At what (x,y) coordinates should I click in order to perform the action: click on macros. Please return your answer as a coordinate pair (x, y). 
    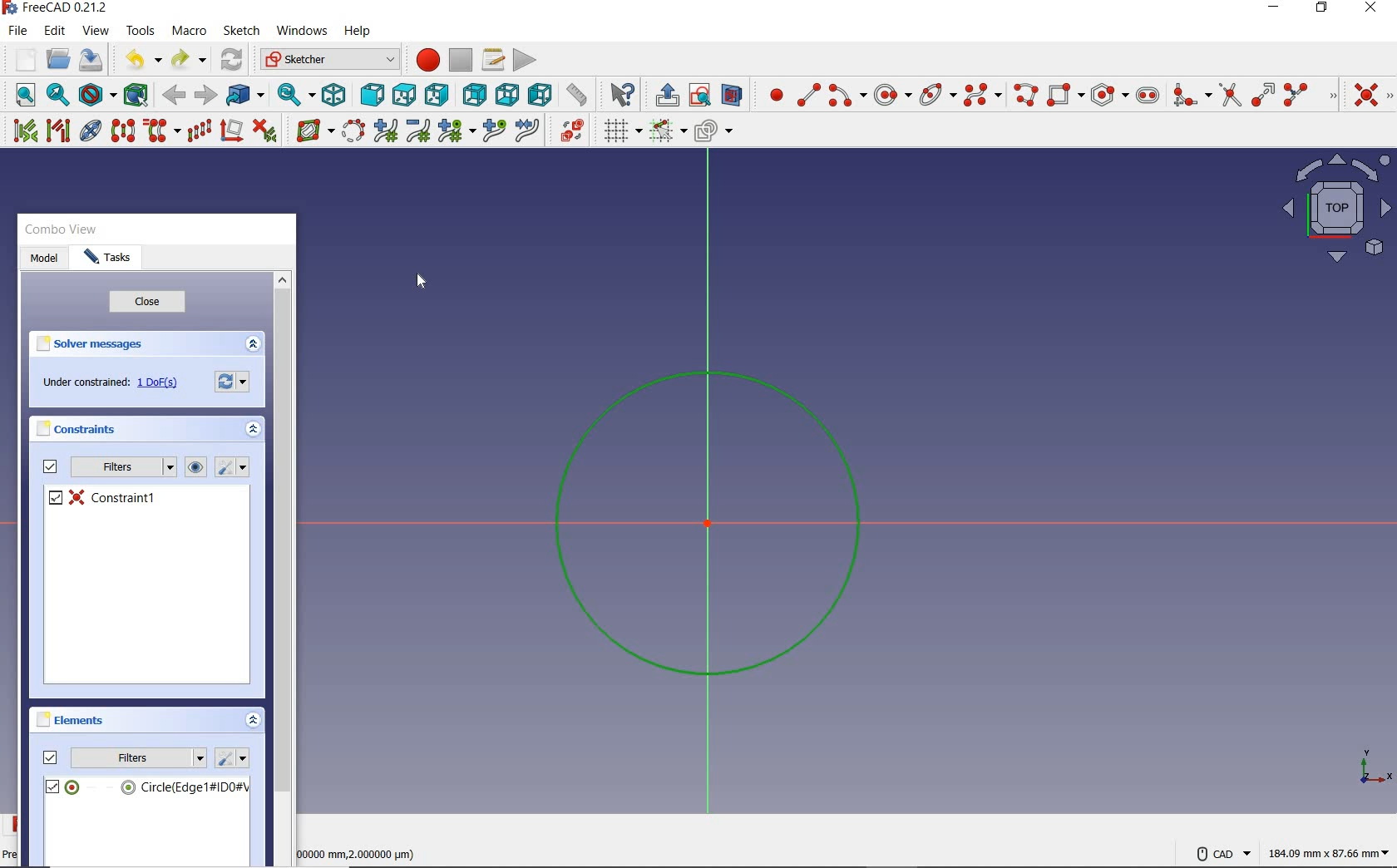
    Looking at the image, I should click on (493, 60).